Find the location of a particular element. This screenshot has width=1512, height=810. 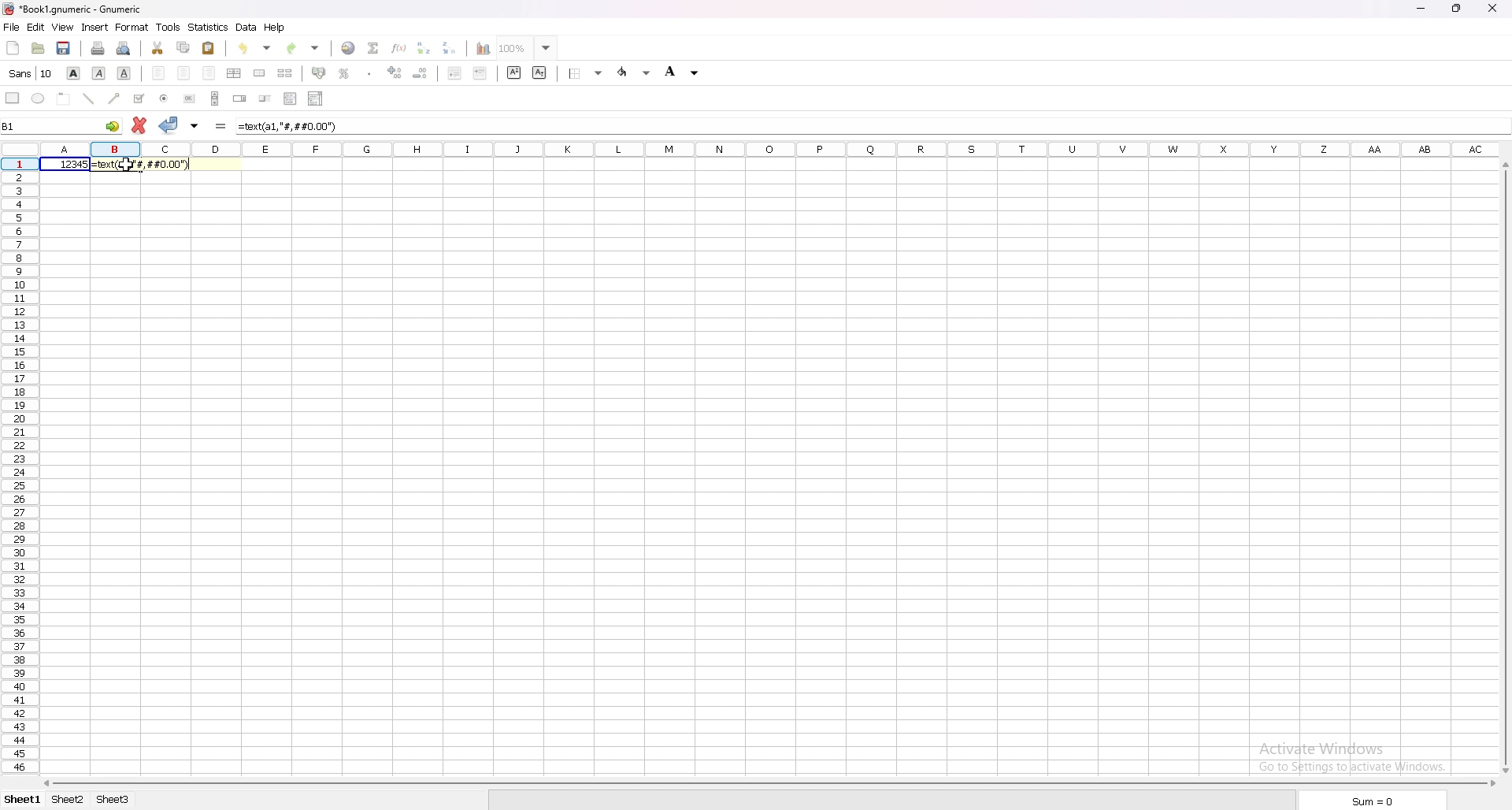

centre is located at coordinates (186, 73).